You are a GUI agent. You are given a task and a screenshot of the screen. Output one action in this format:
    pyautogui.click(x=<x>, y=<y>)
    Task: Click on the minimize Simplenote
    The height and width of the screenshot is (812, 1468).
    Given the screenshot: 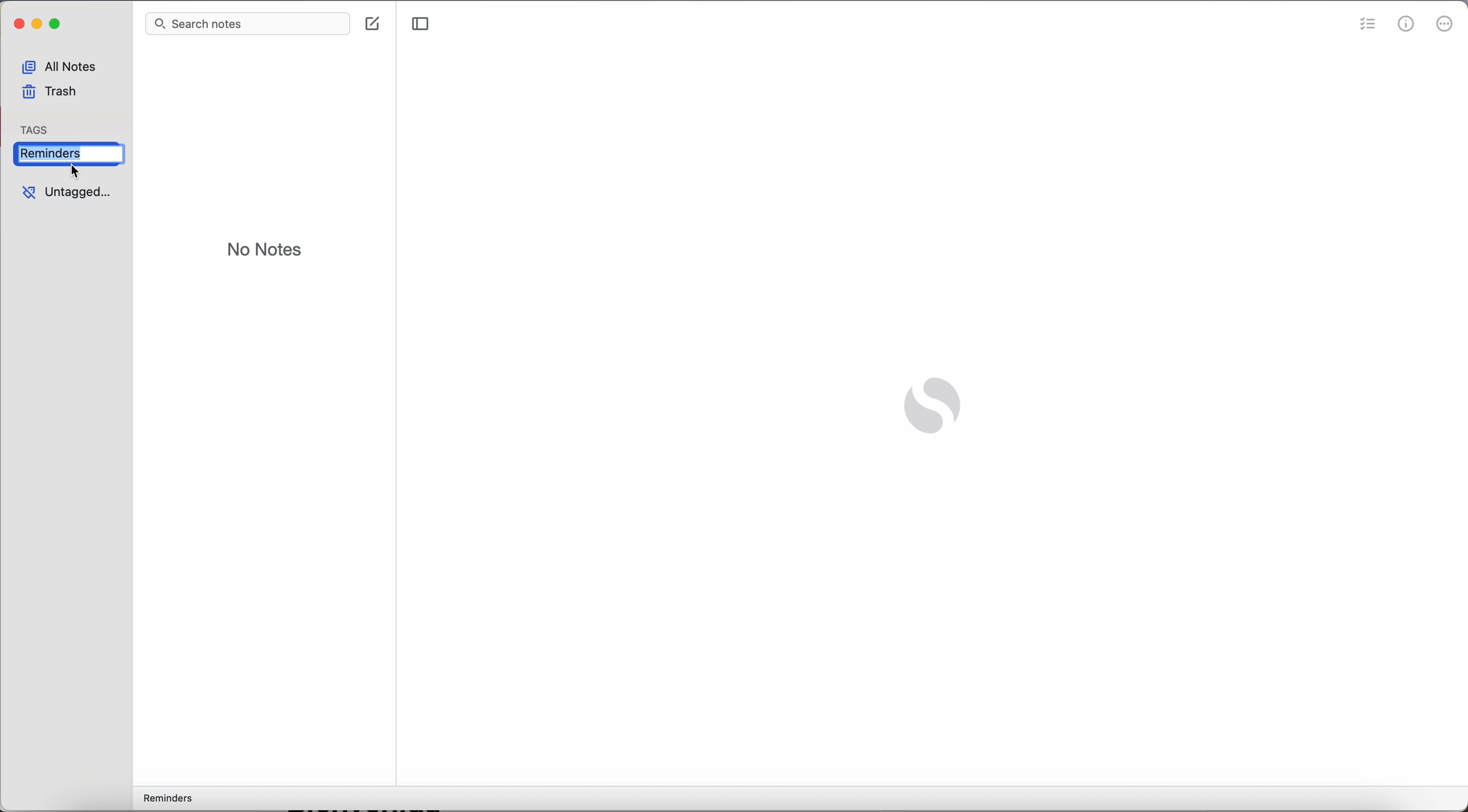 What is the action you would take?
    pyautogui.click(x=38, y=26)
    